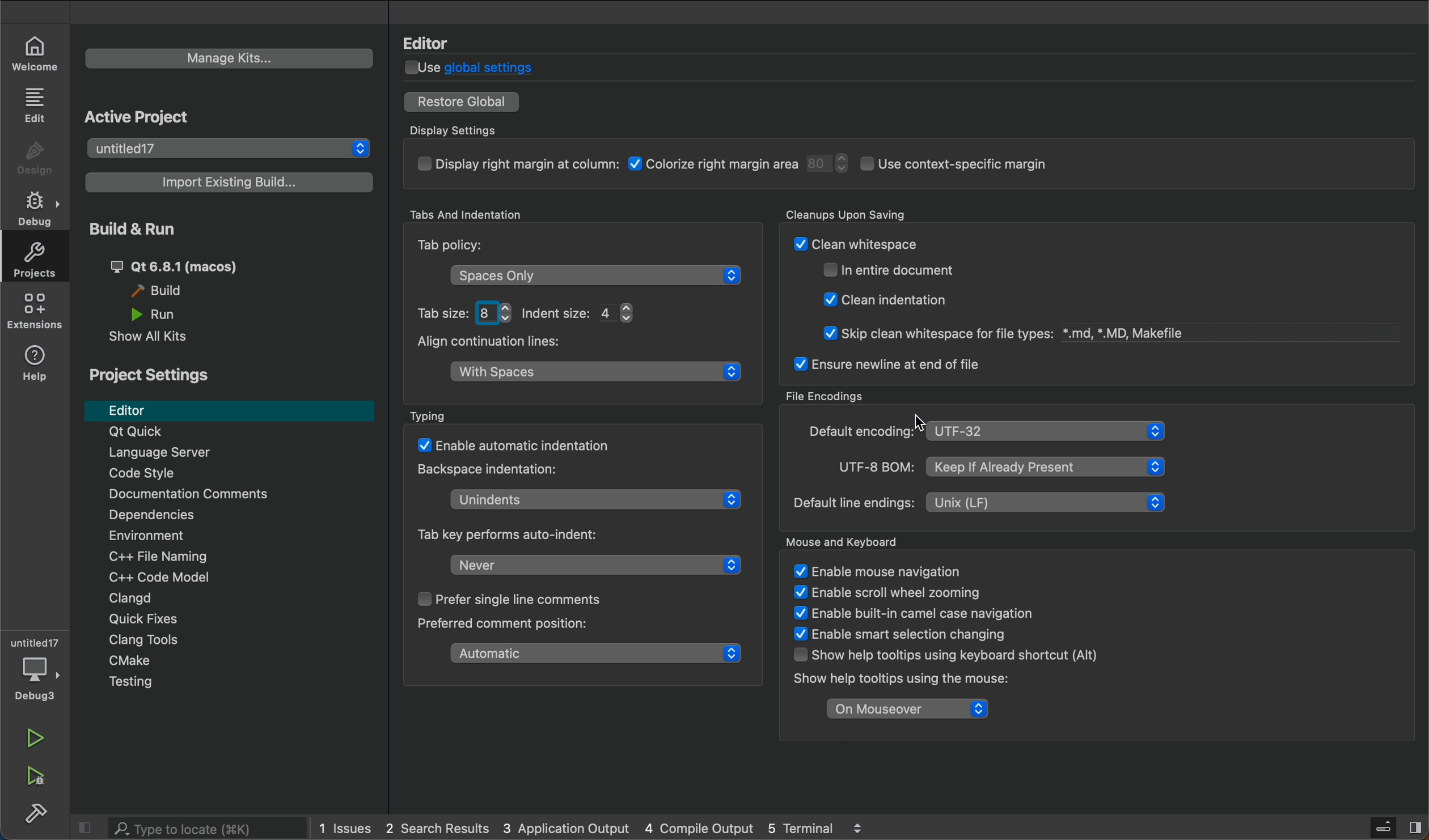  What do you see at coordinates (160, 377) in the screenshot?
I see `Project Settings` at bounding box center [160, 377].